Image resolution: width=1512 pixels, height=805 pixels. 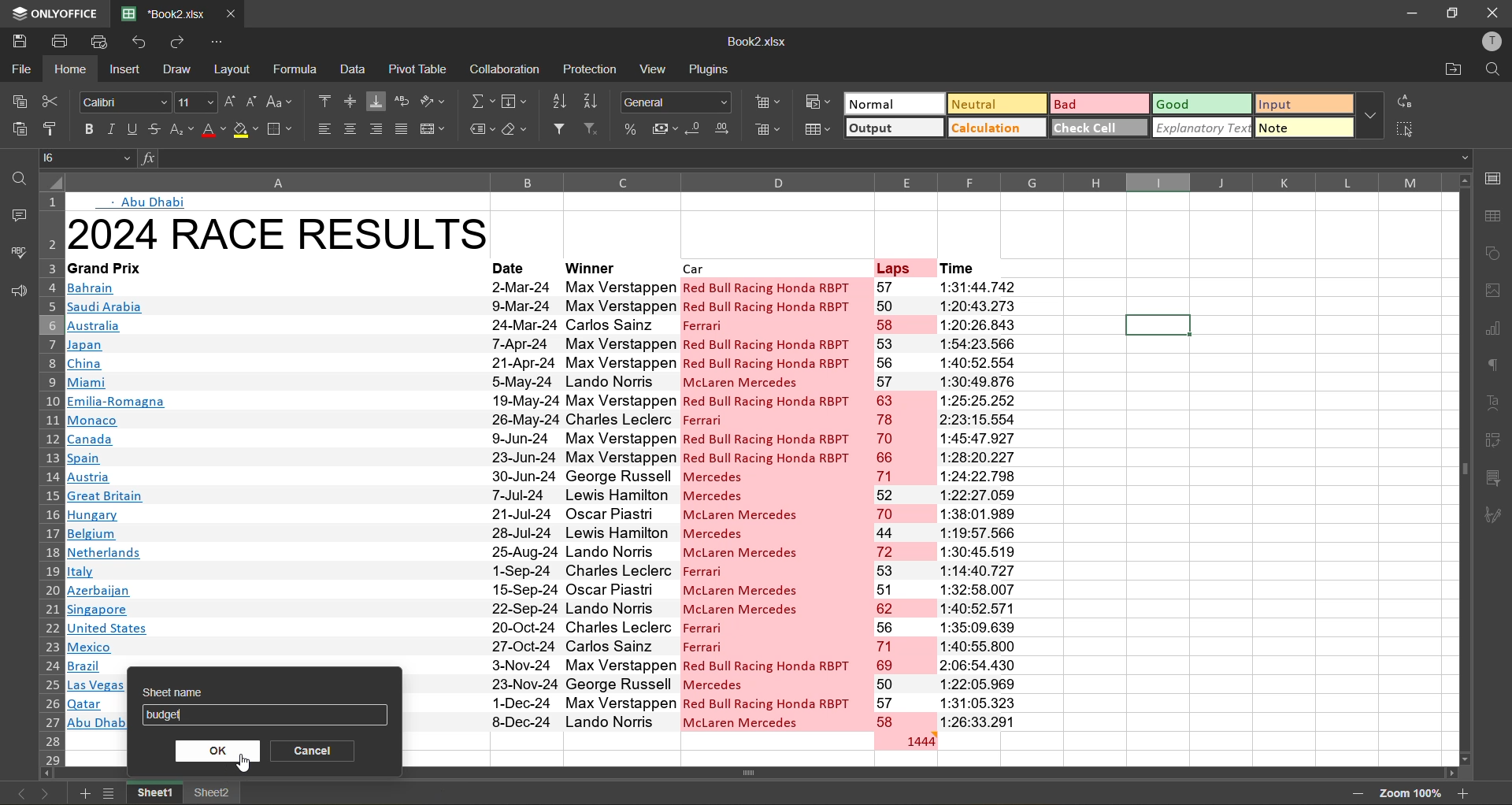 I want to click on time, so click(x=973, y=265).